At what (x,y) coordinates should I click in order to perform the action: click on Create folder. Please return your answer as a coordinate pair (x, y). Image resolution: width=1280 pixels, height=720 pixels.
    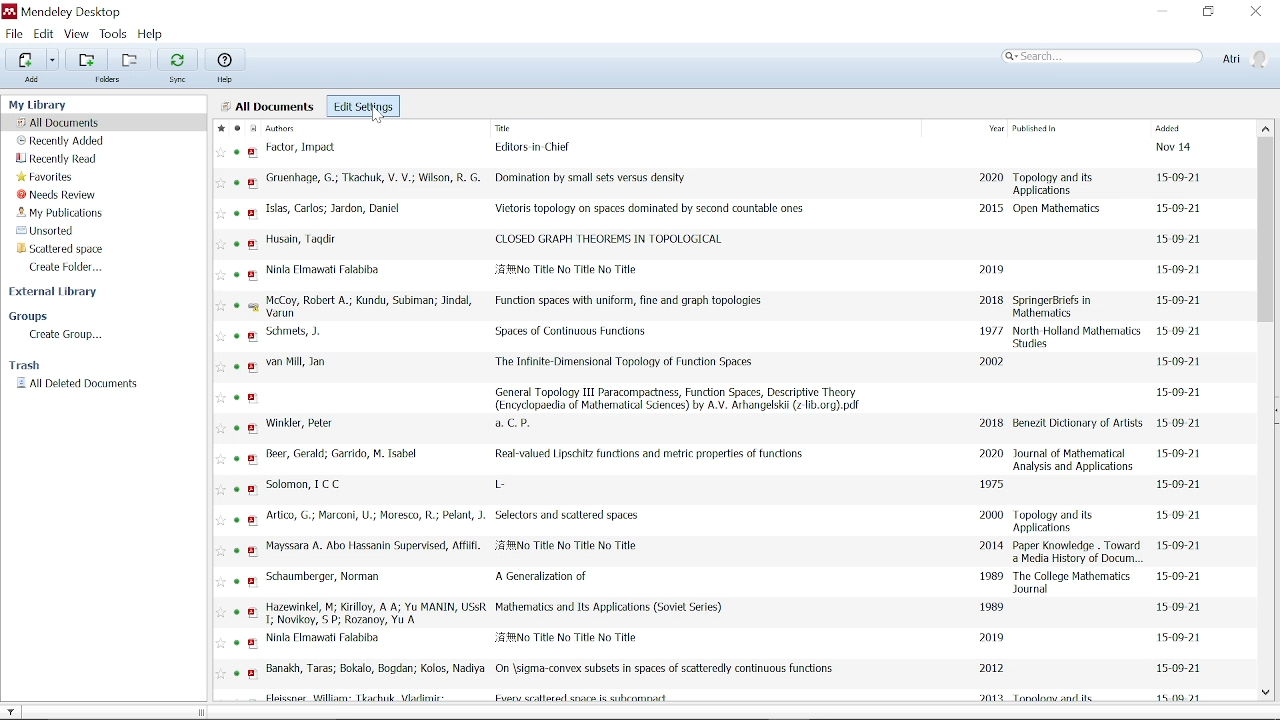
    Looking at the image, I should click on (68, 268).